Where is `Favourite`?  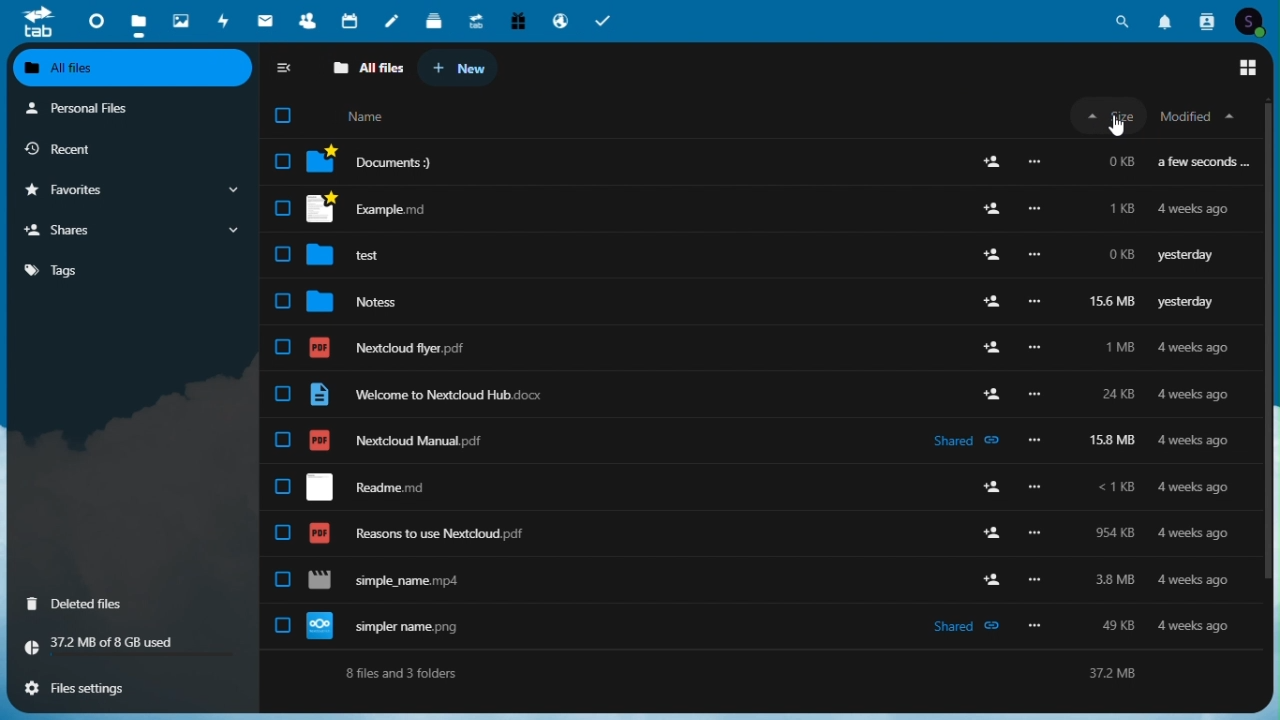
Favourite is located at coordinates (131, 188).